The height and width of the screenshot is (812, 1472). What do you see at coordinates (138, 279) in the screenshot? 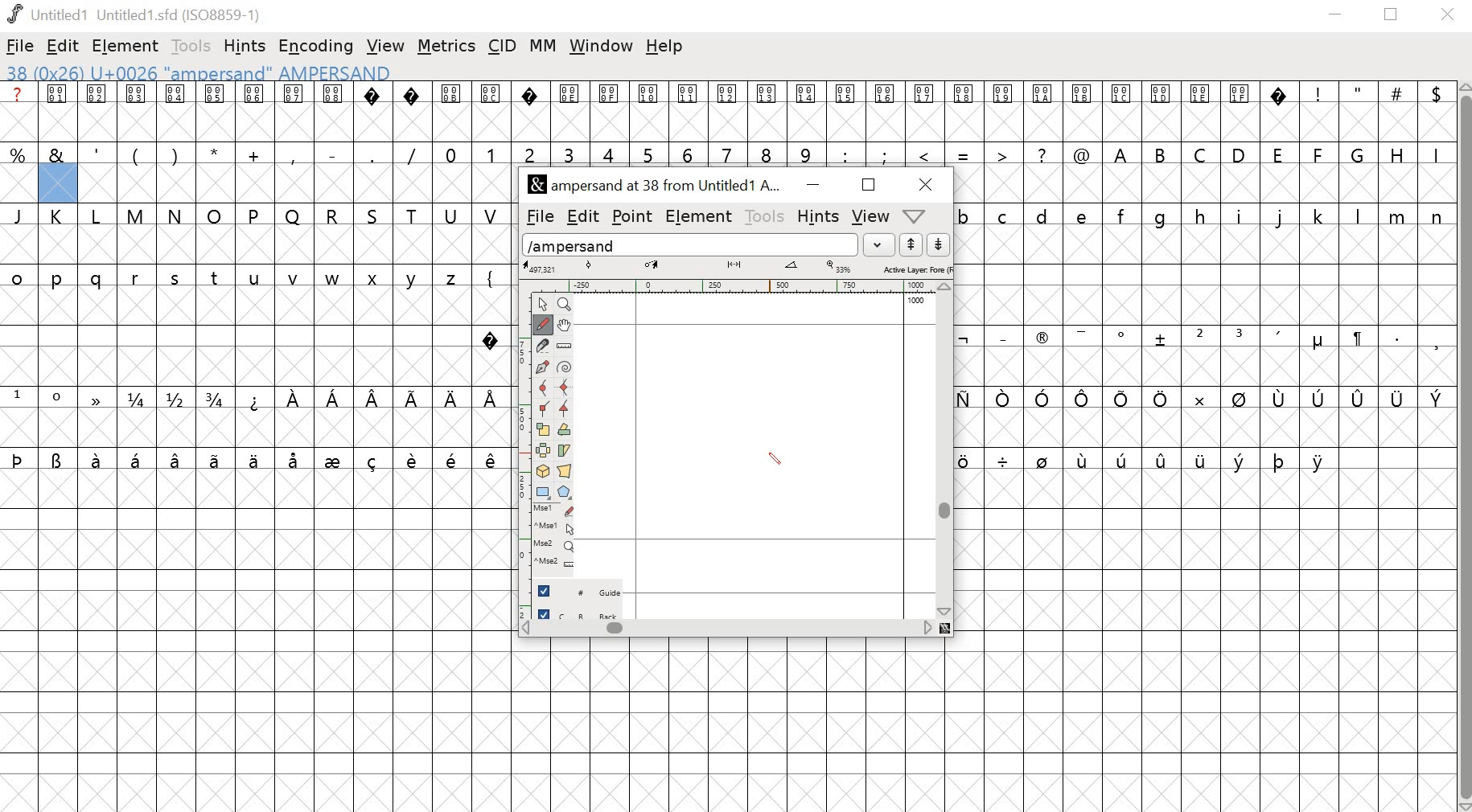
I see `r` at bounding box center [138, 279].